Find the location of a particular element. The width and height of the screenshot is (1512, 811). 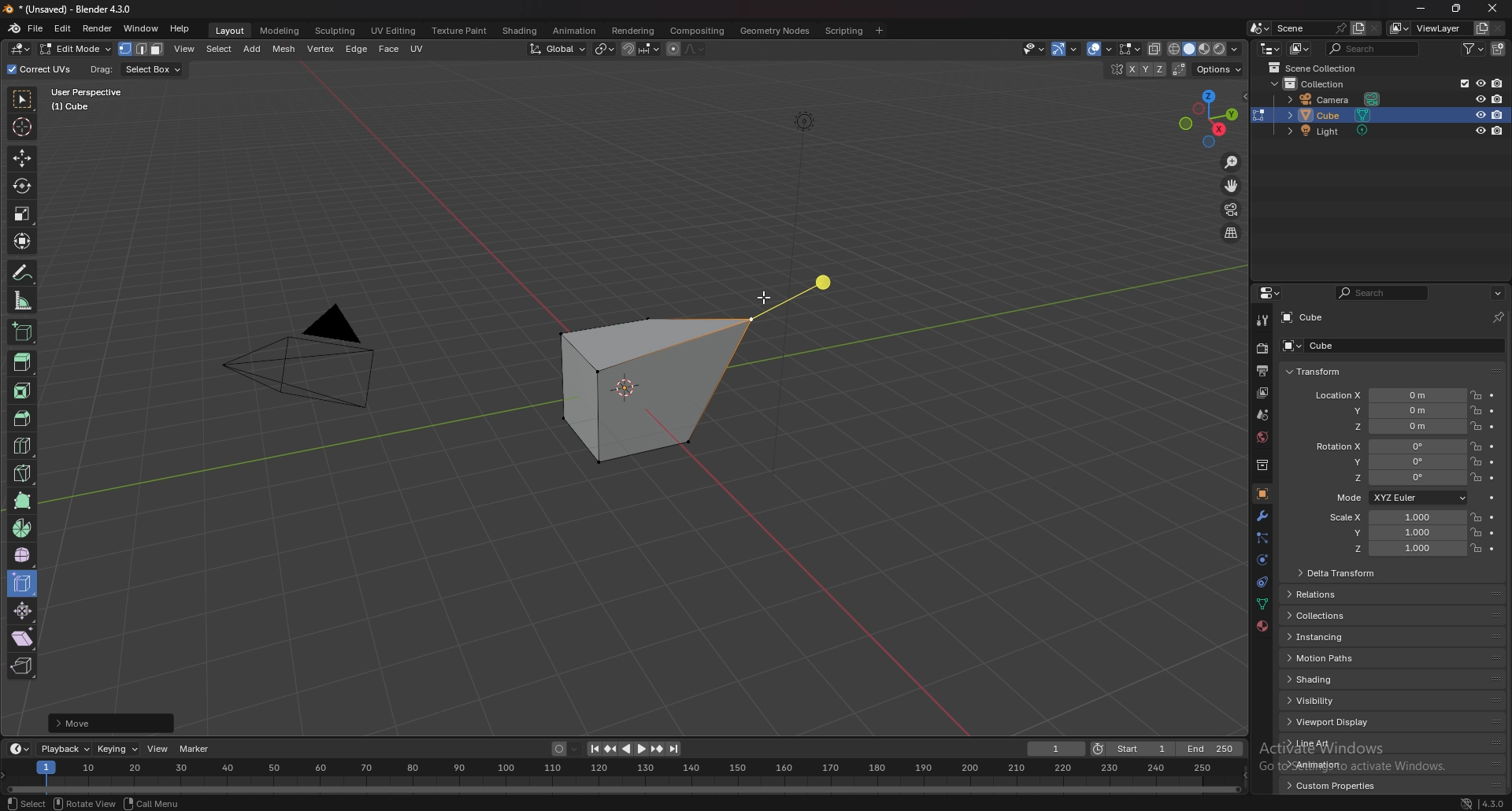

scene is located at coordinates (1311, 27).